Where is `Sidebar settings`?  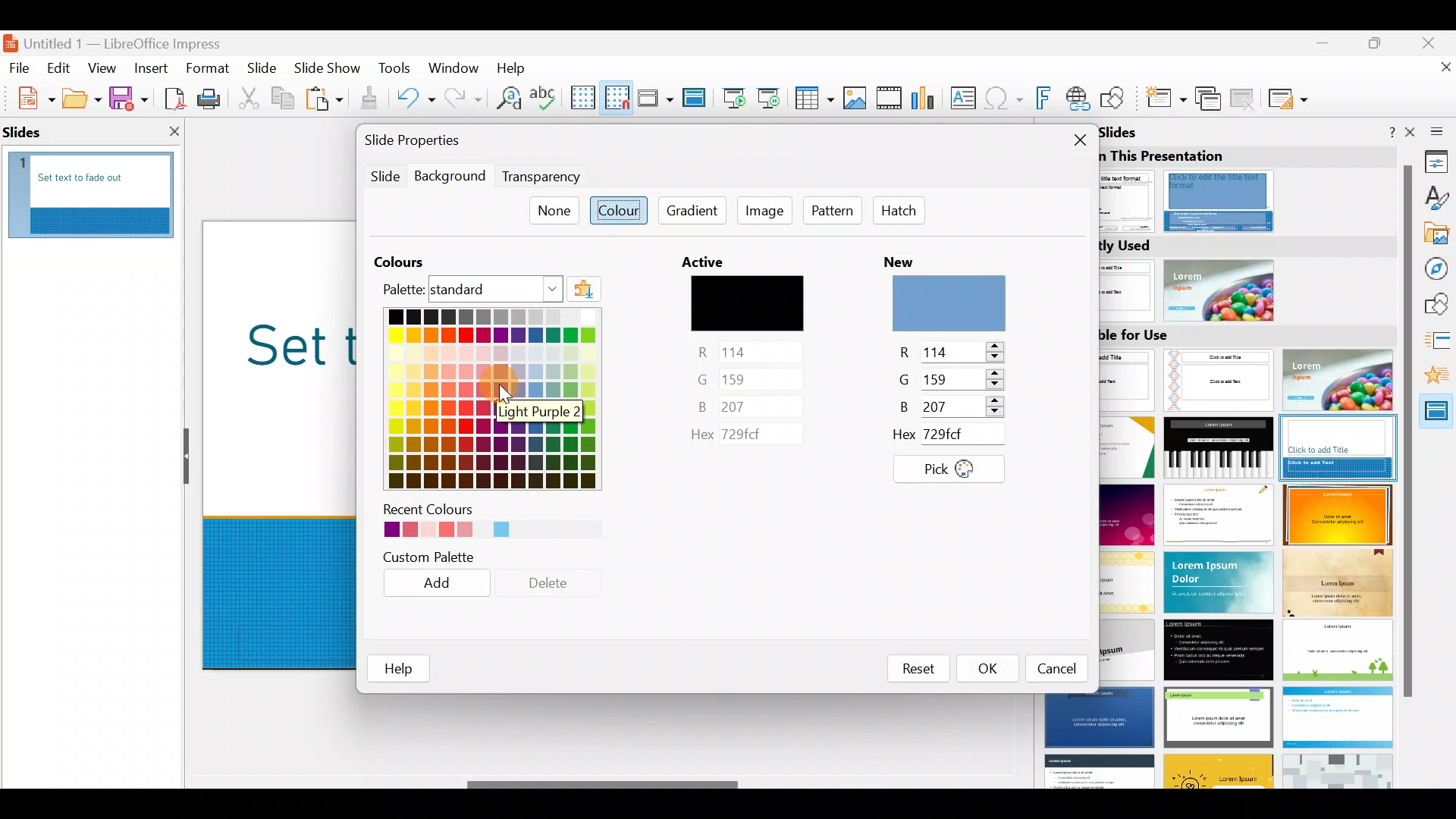 Sidebar settings is located at coordinates (1434, 130).